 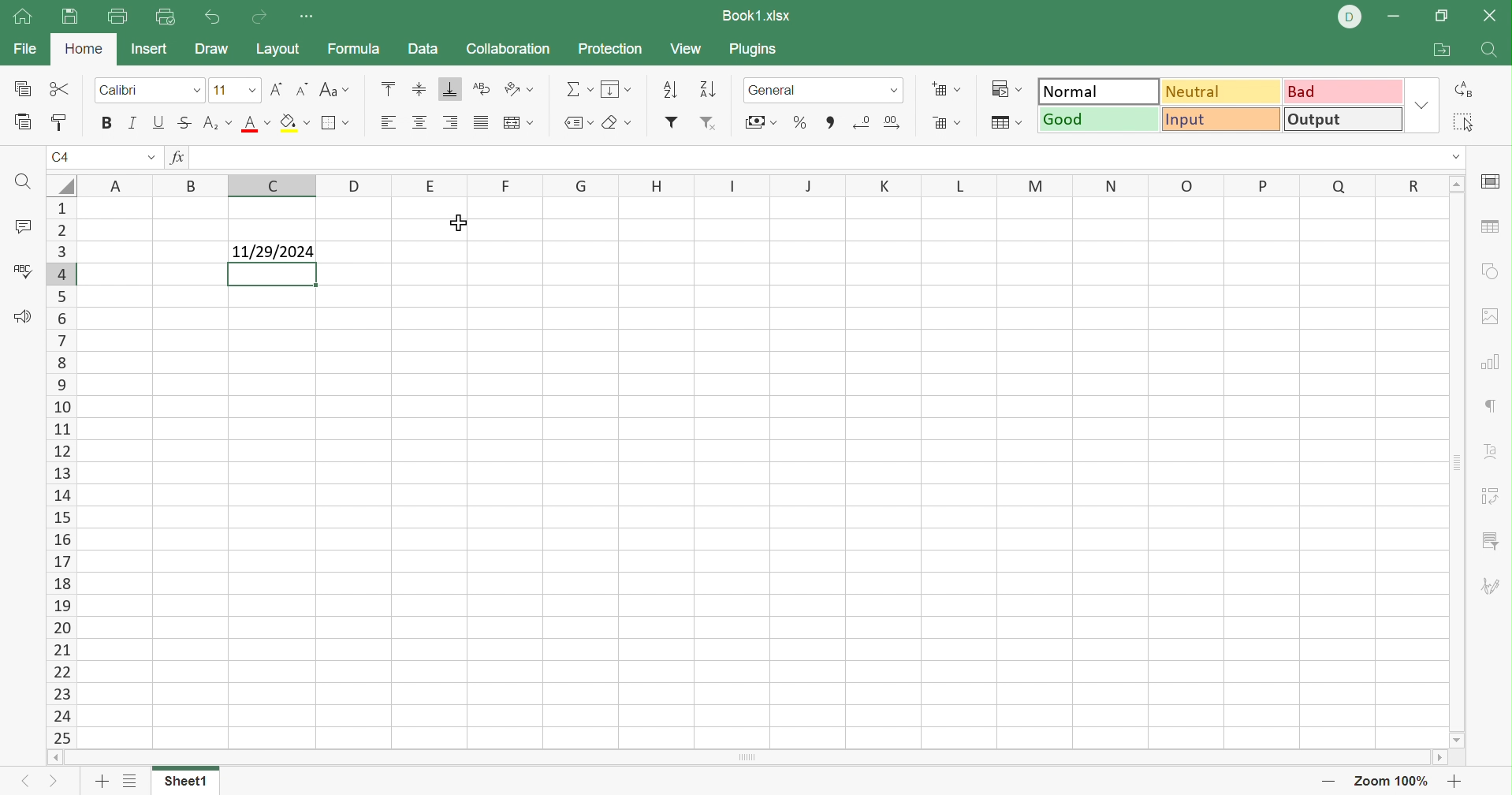 I want to click on Paste, so click(x=24, y=122).